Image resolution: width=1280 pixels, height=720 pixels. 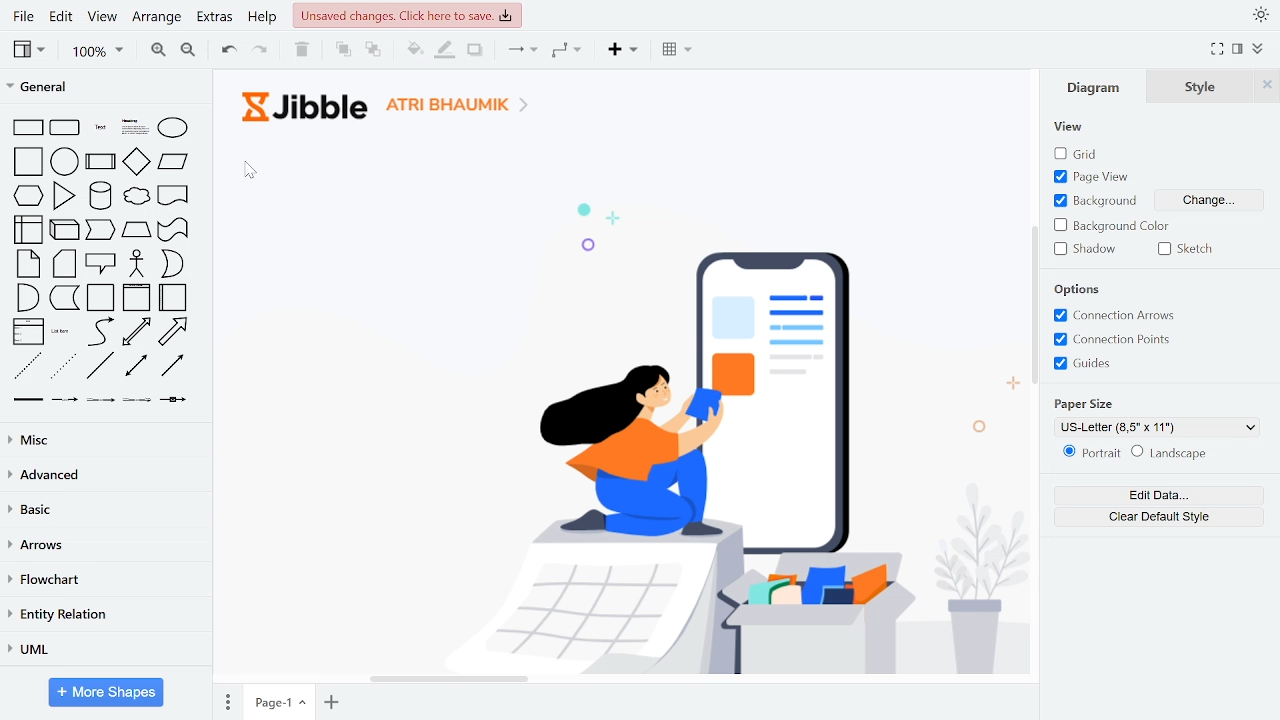 I want to click on general shapes, so click(x=173, y=297).